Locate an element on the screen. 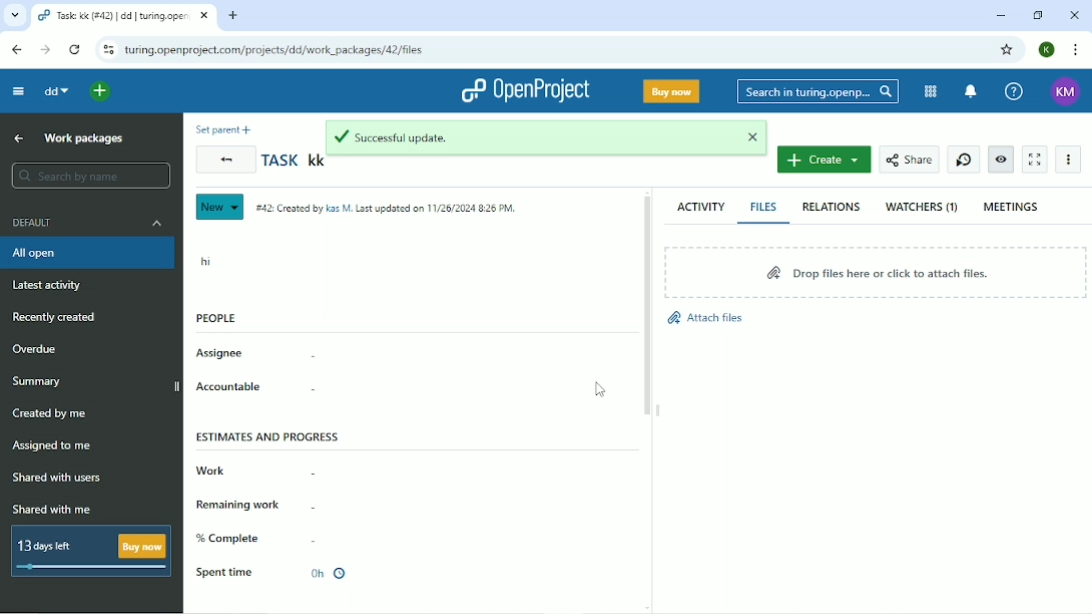  Buy now is located at coordinates (671, 90).